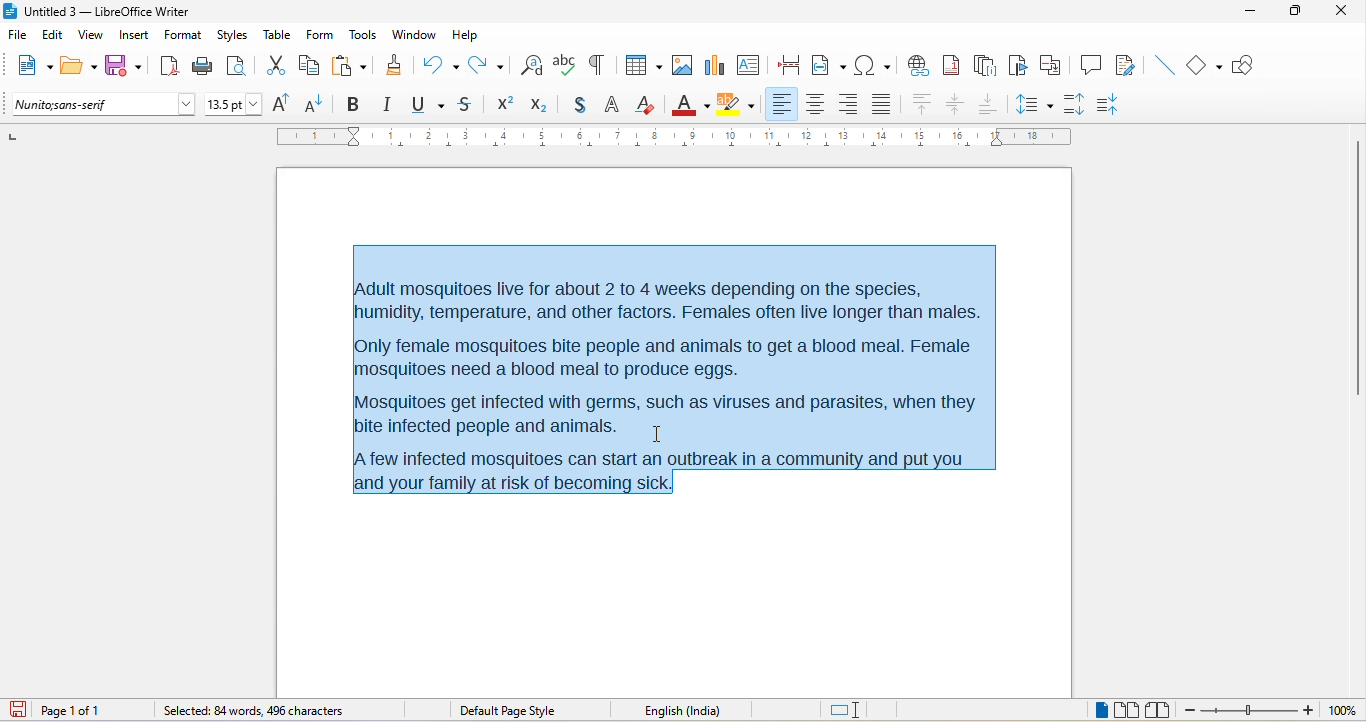 The image size is (1366, 722). Describe the element at coordinates (1020, 66) in the screenshot. I see `bookmark` at that location.